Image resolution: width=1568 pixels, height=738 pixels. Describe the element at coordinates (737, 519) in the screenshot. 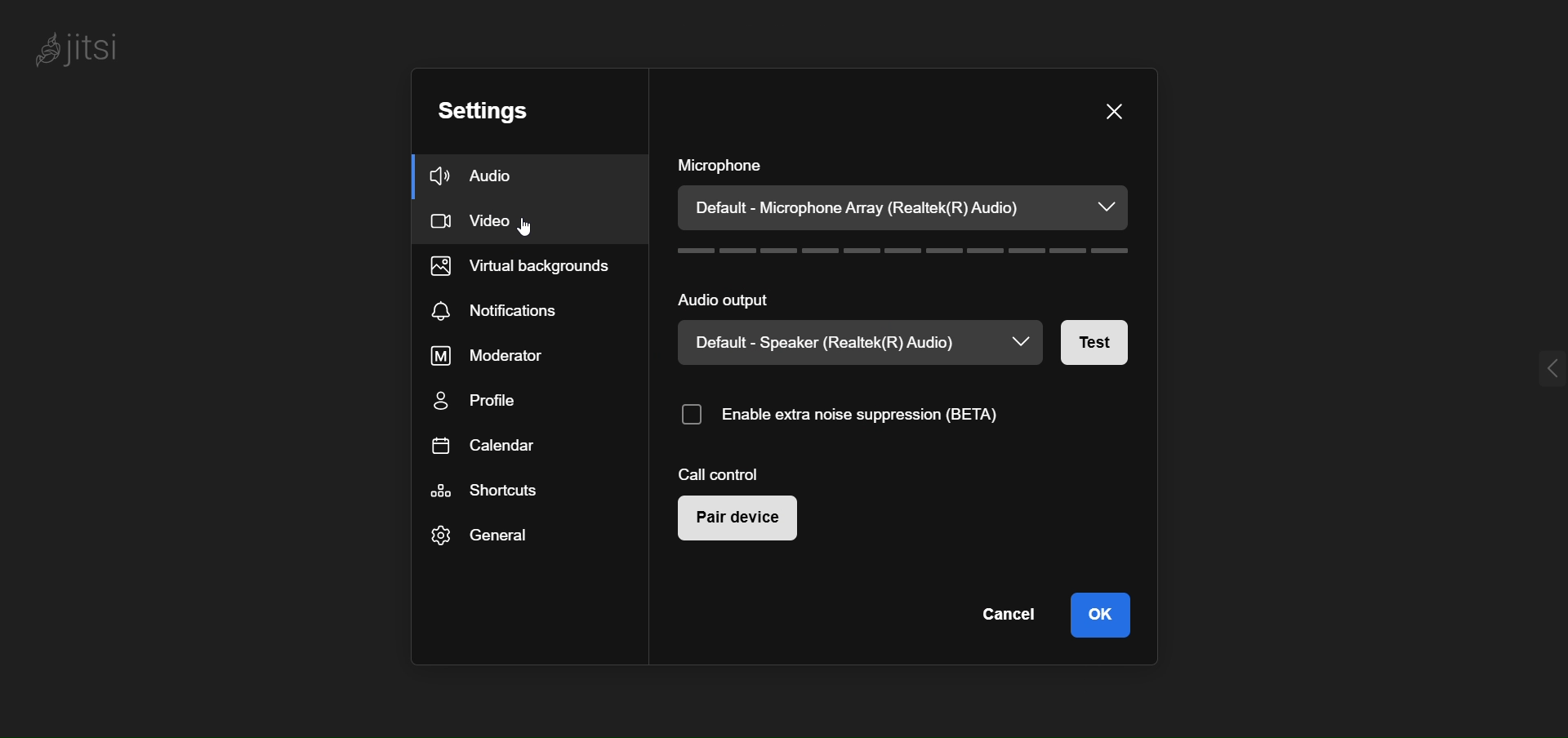

I see `pair device` at that location.